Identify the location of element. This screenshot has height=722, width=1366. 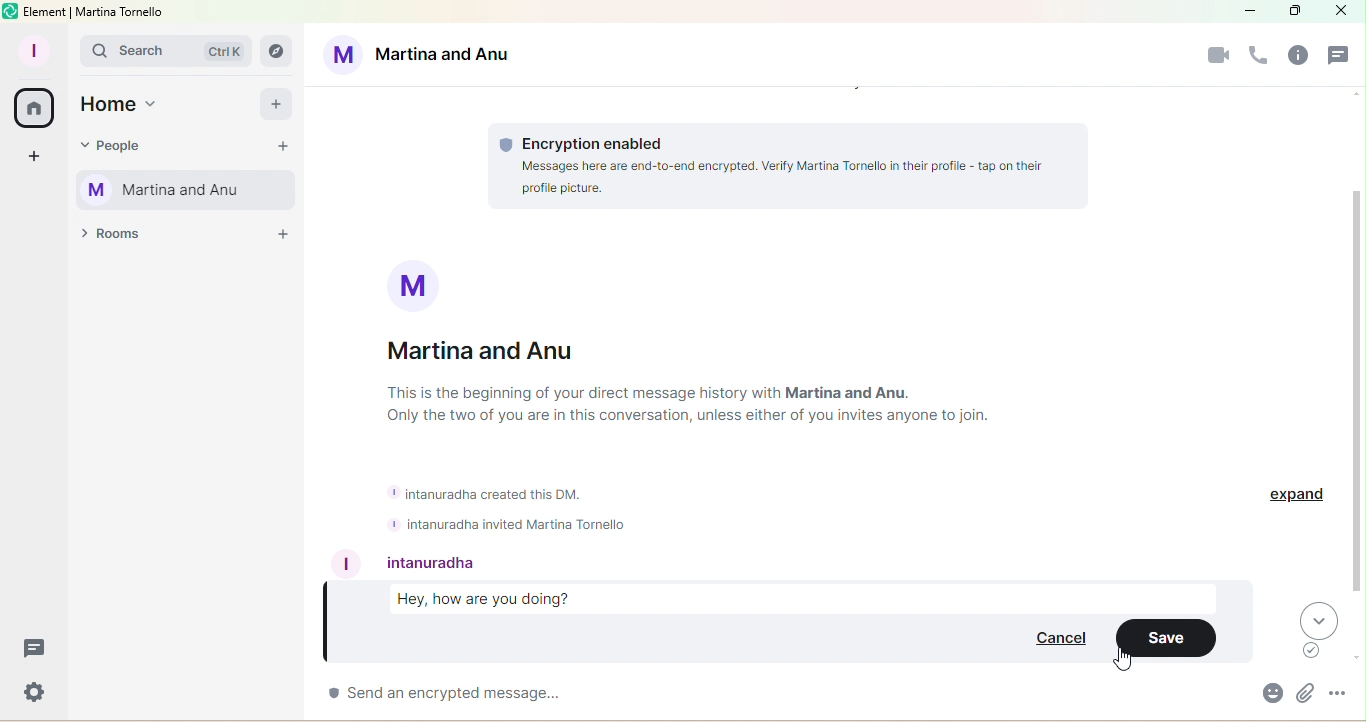
(46, 12).